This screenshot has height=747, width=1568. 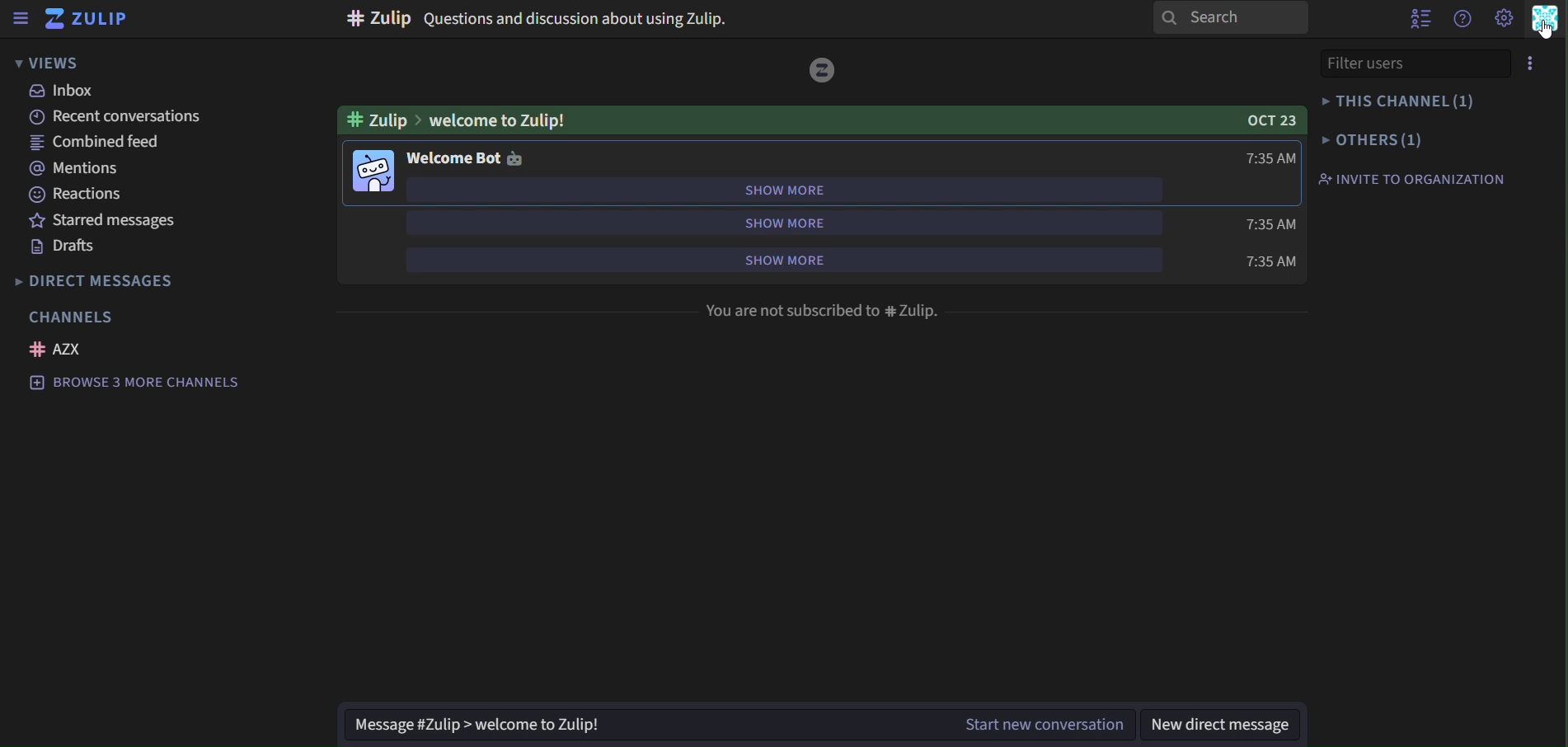 I want to click on time, so click(x=1265, y=223).